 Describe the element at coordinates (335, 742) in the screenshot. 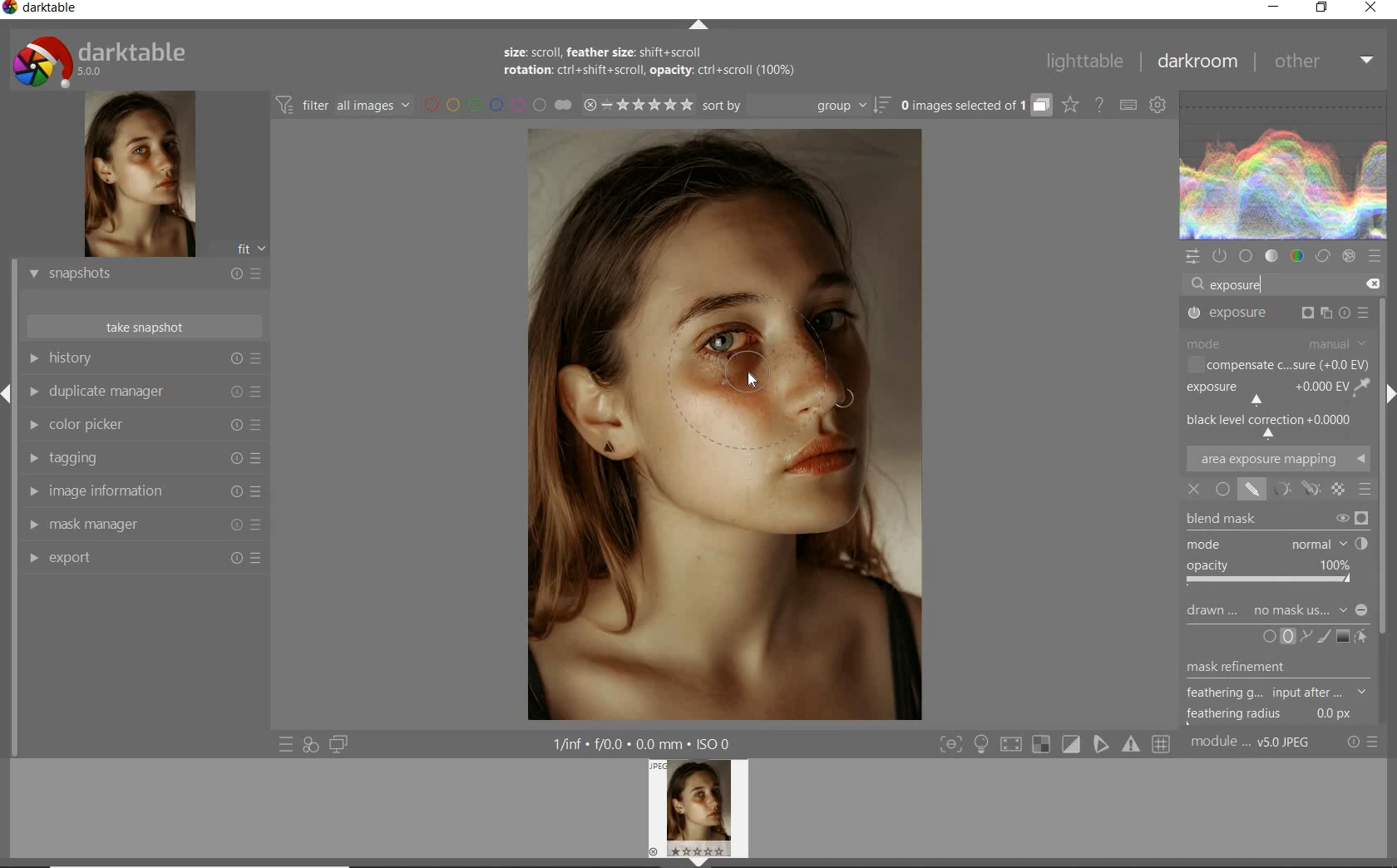

I see `display a second darkroom image below` at that location.